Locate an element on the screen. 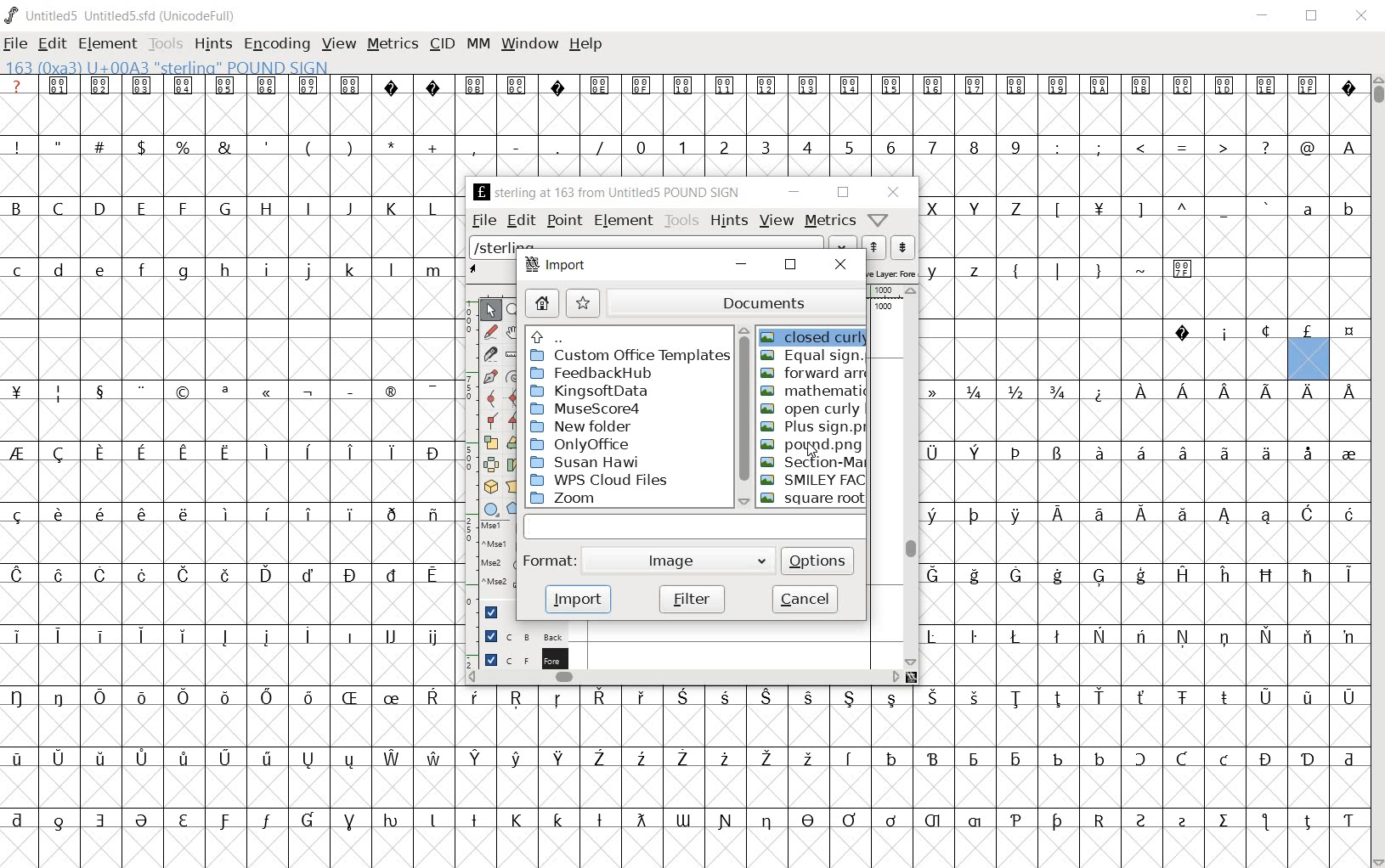  WPS Cloud Files is located at coordinates (604, 479).